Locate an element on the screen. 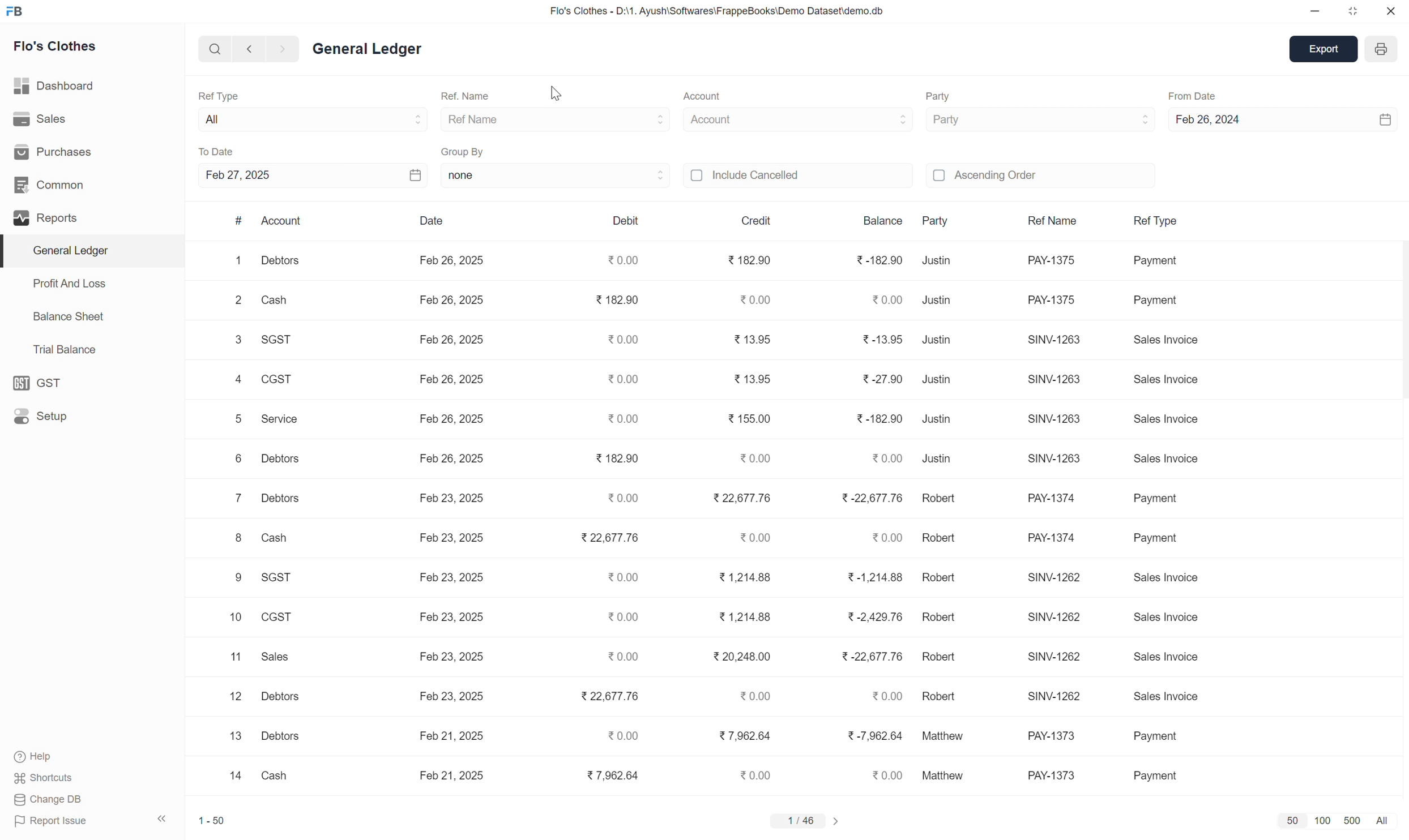 The image size is (1409, 840). report issue is located at coordinates (53, 821).